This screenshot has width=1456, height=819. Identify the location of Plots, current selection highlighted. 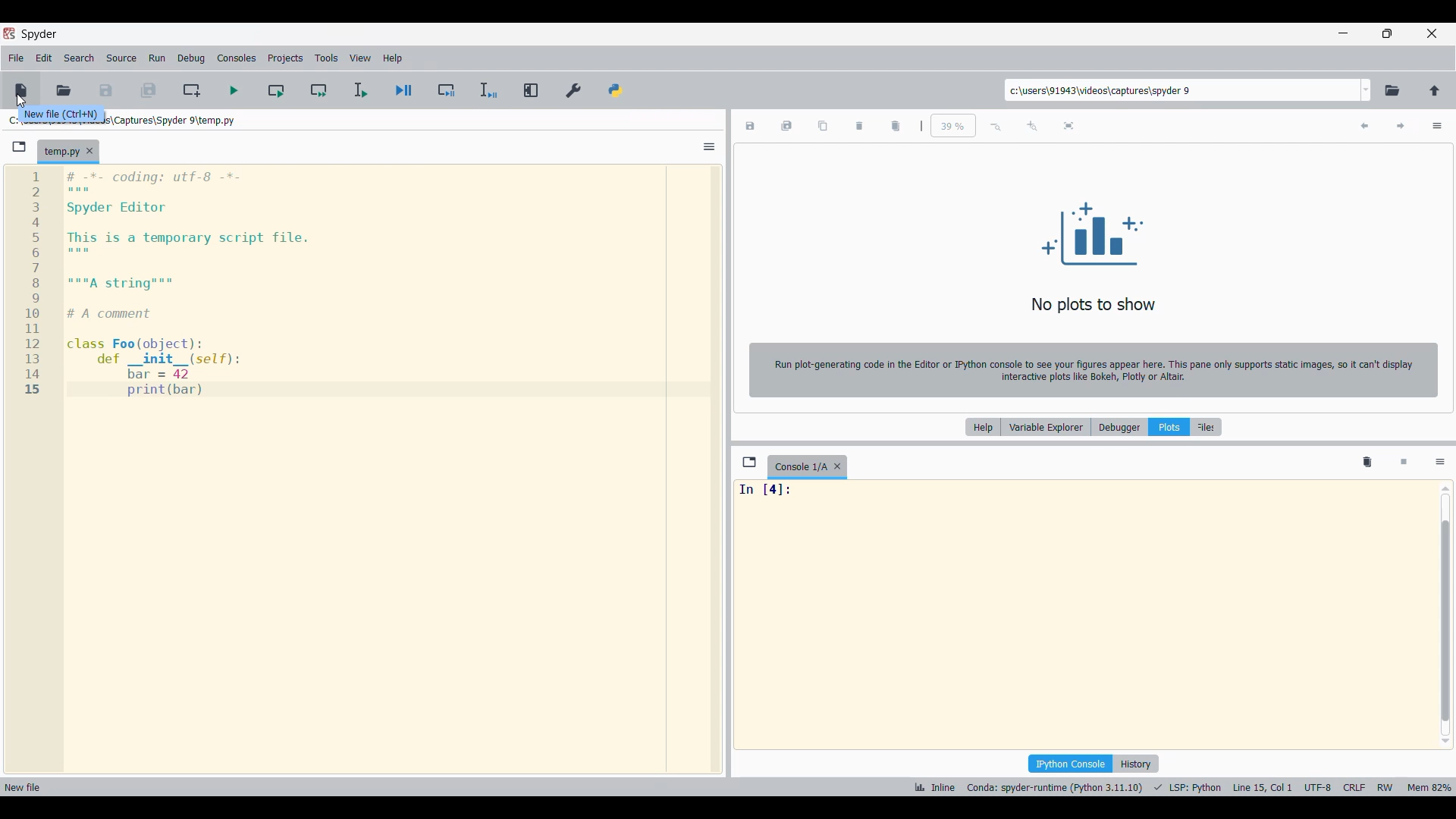
(1170, 427).